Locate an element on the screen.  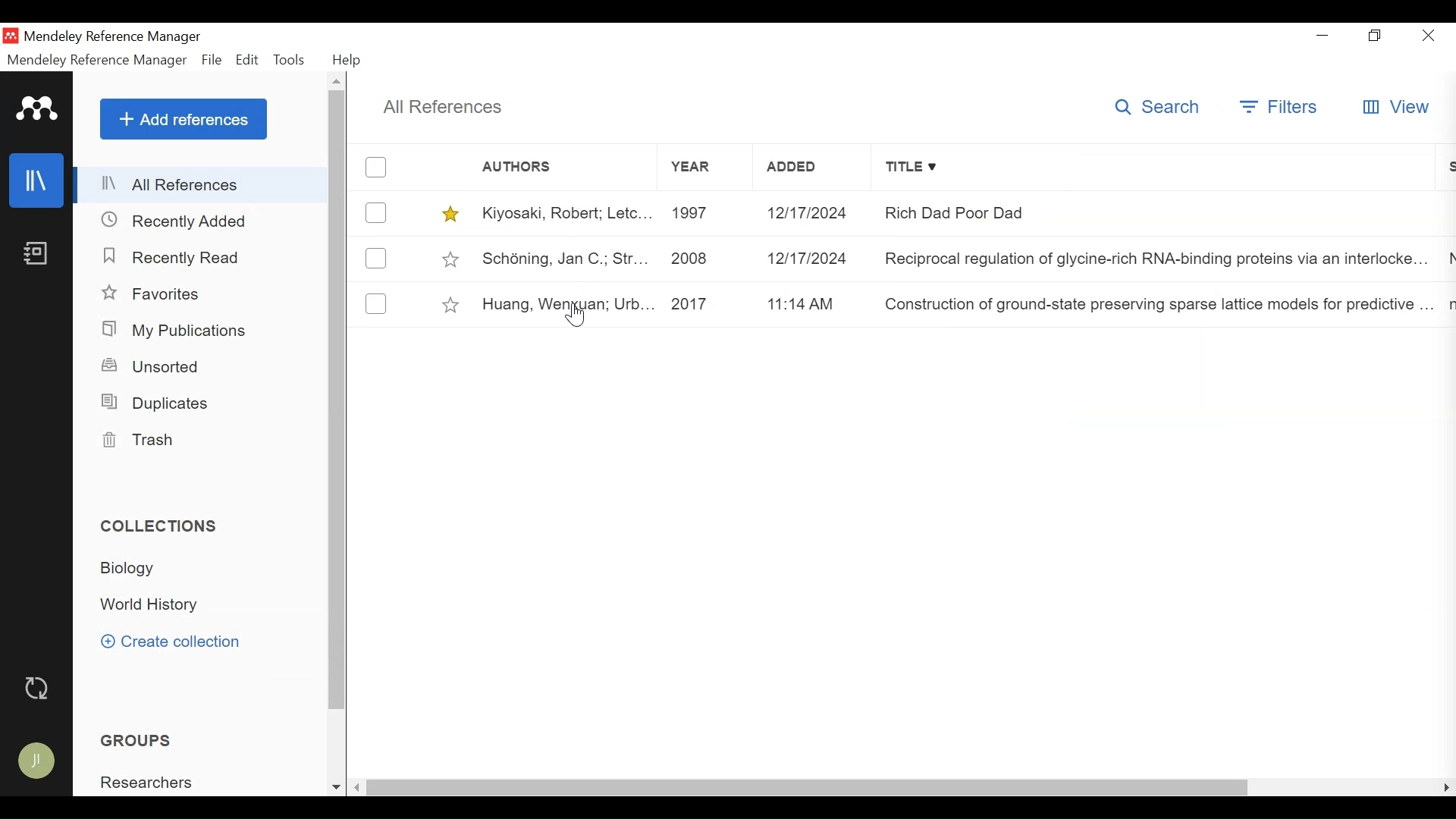
All References is located at coordinates (445, 108).